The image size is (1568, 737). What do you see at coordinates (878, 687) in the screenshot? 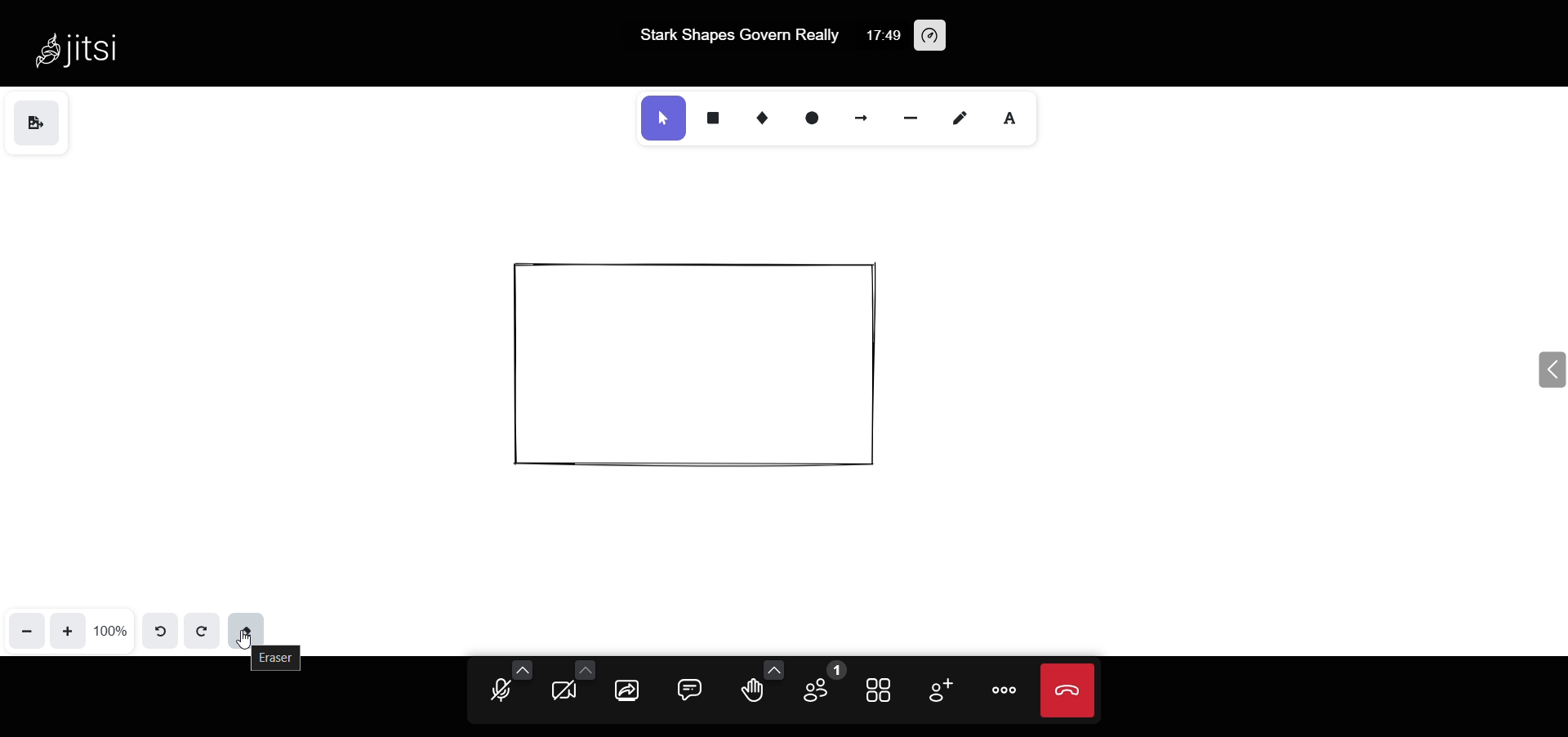
I see `tile view` at bounding box center [878, 687].